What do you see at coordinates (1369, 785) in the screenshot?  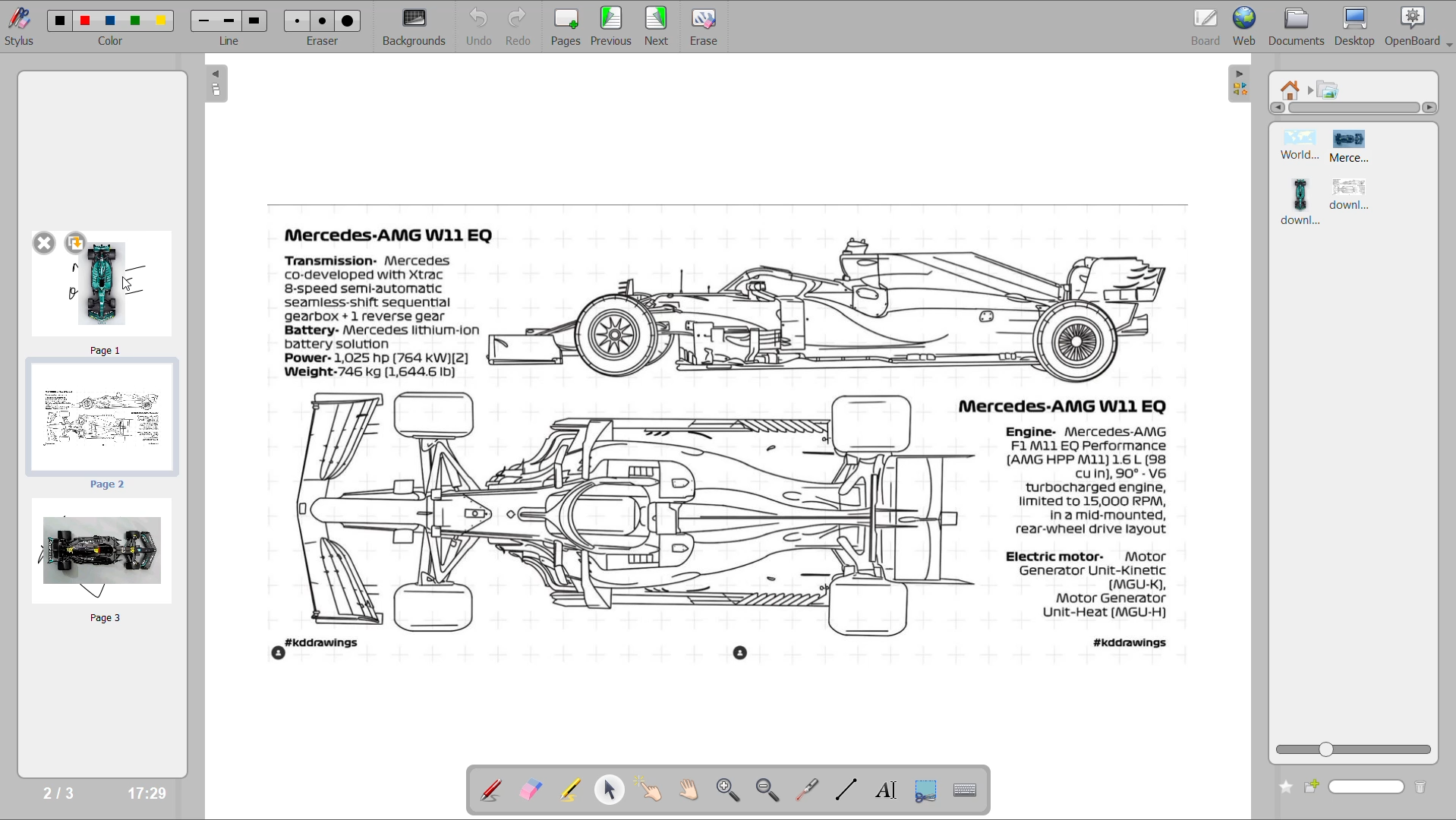 I see `name input` at bounding box center [1369, 785].